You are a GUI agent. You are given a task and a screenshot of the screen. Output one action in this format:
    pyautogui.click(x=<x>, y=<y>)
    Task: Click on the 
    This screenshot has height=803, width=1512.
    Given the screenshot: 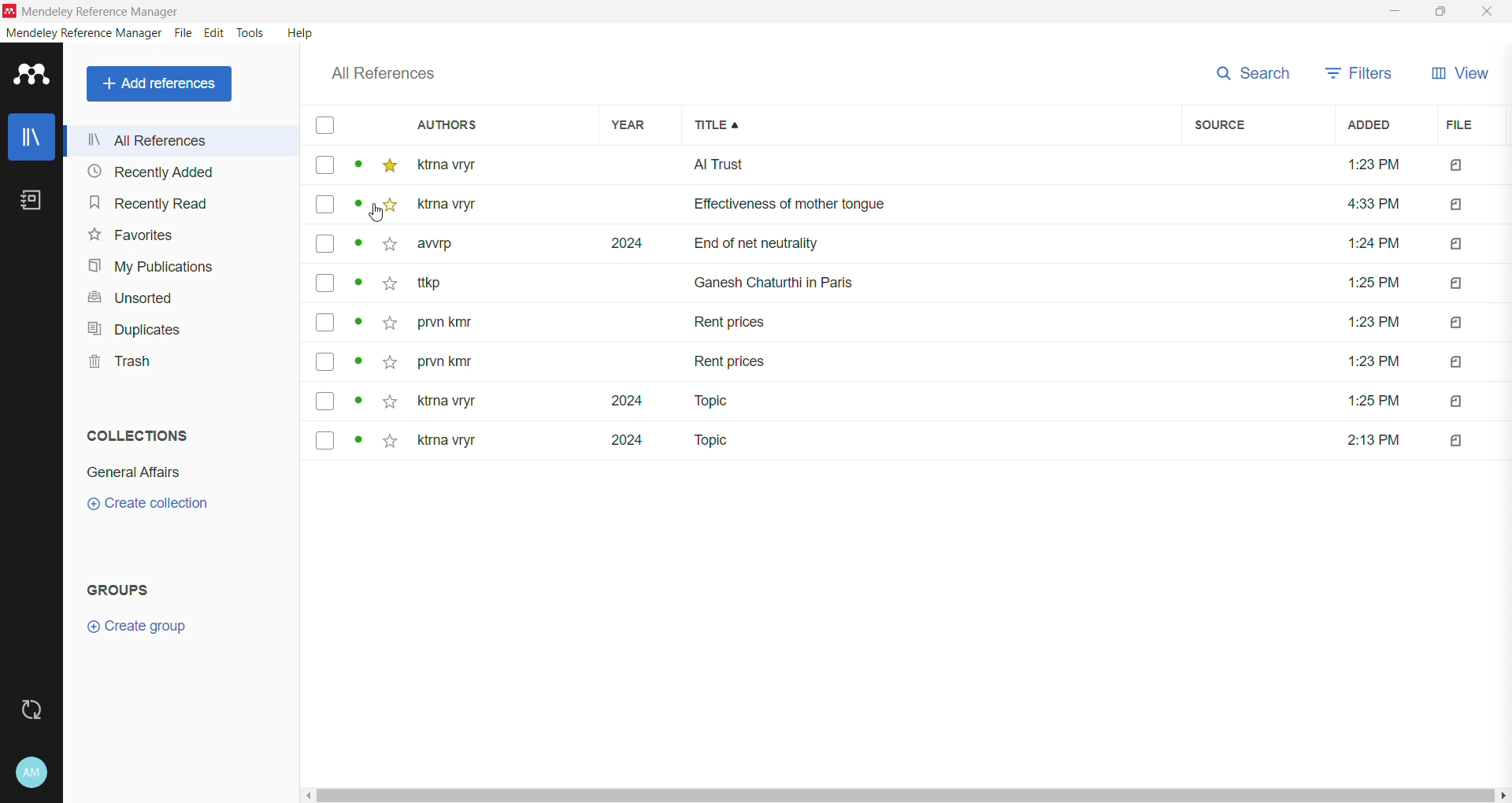 What is the action you would take?
    pyautogui.click(x=1369, y=282)
    